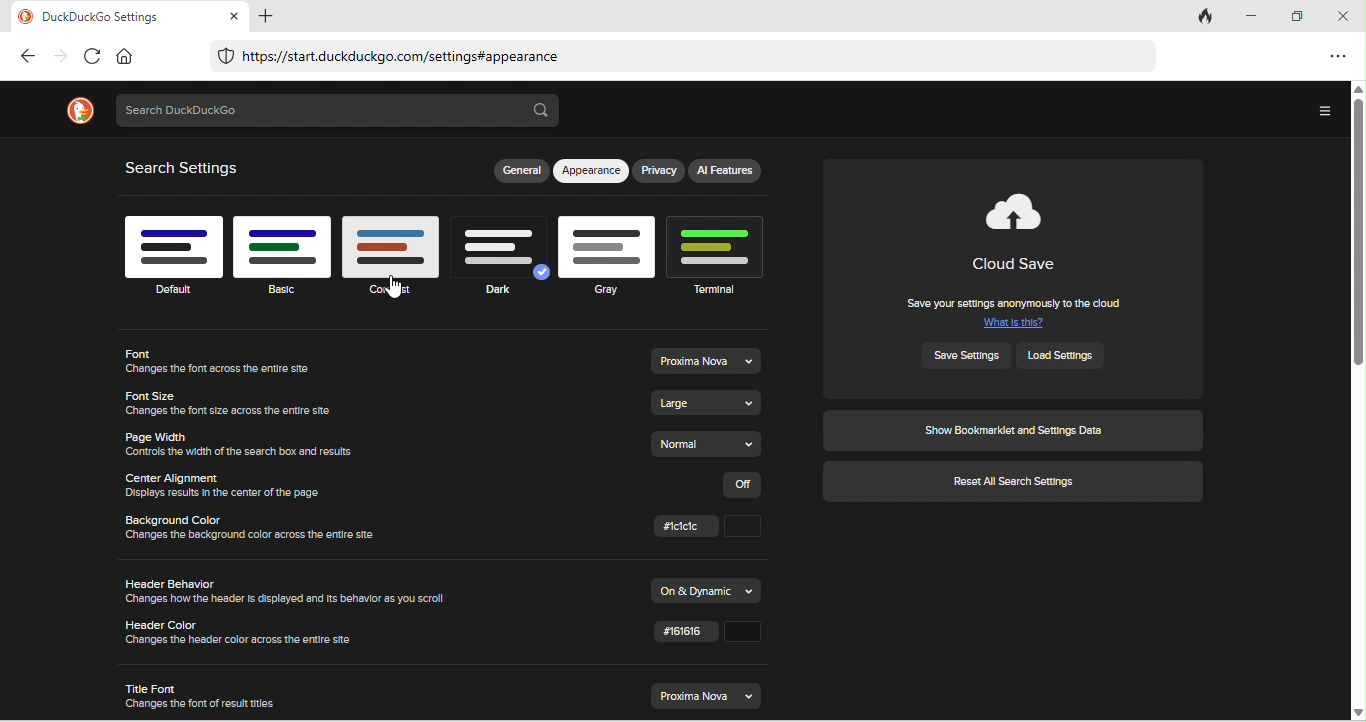 This screenshot has height=722, width=1366. Describe the element at coordinates (187, 168) in the screenshot. I see `search settings` at that location.